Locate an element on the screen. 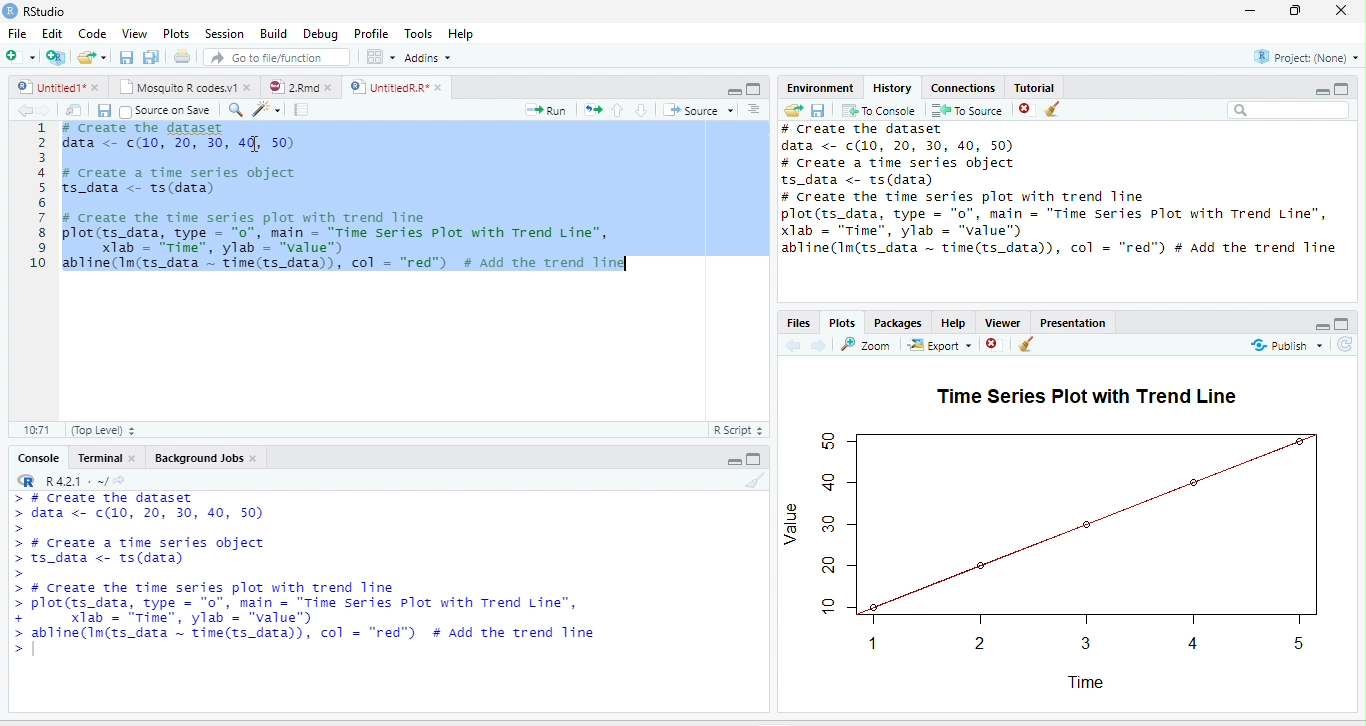  UntitledR.R* is located at coordinates (388, 87).